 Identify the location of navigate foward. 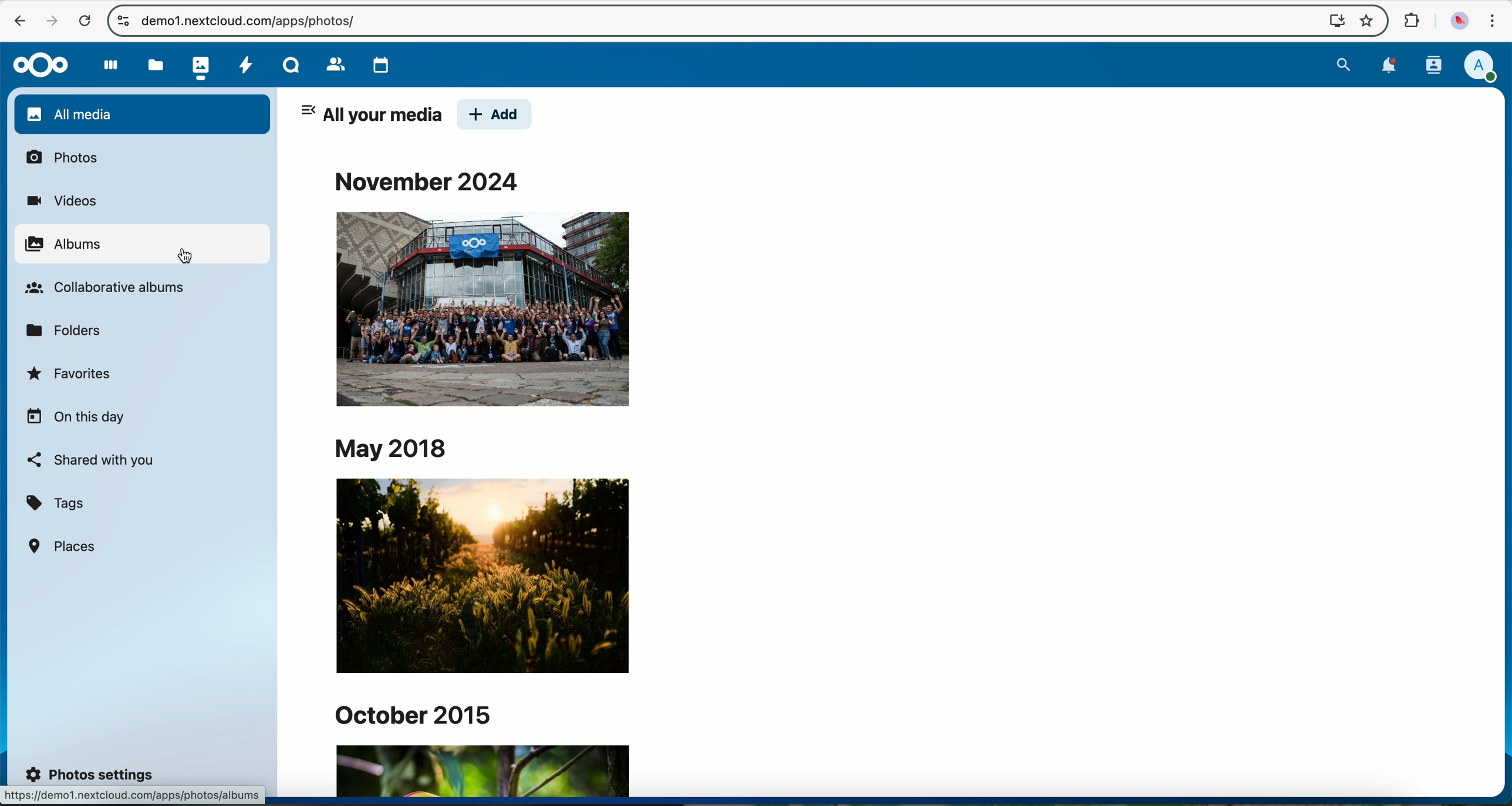
(49, 21).